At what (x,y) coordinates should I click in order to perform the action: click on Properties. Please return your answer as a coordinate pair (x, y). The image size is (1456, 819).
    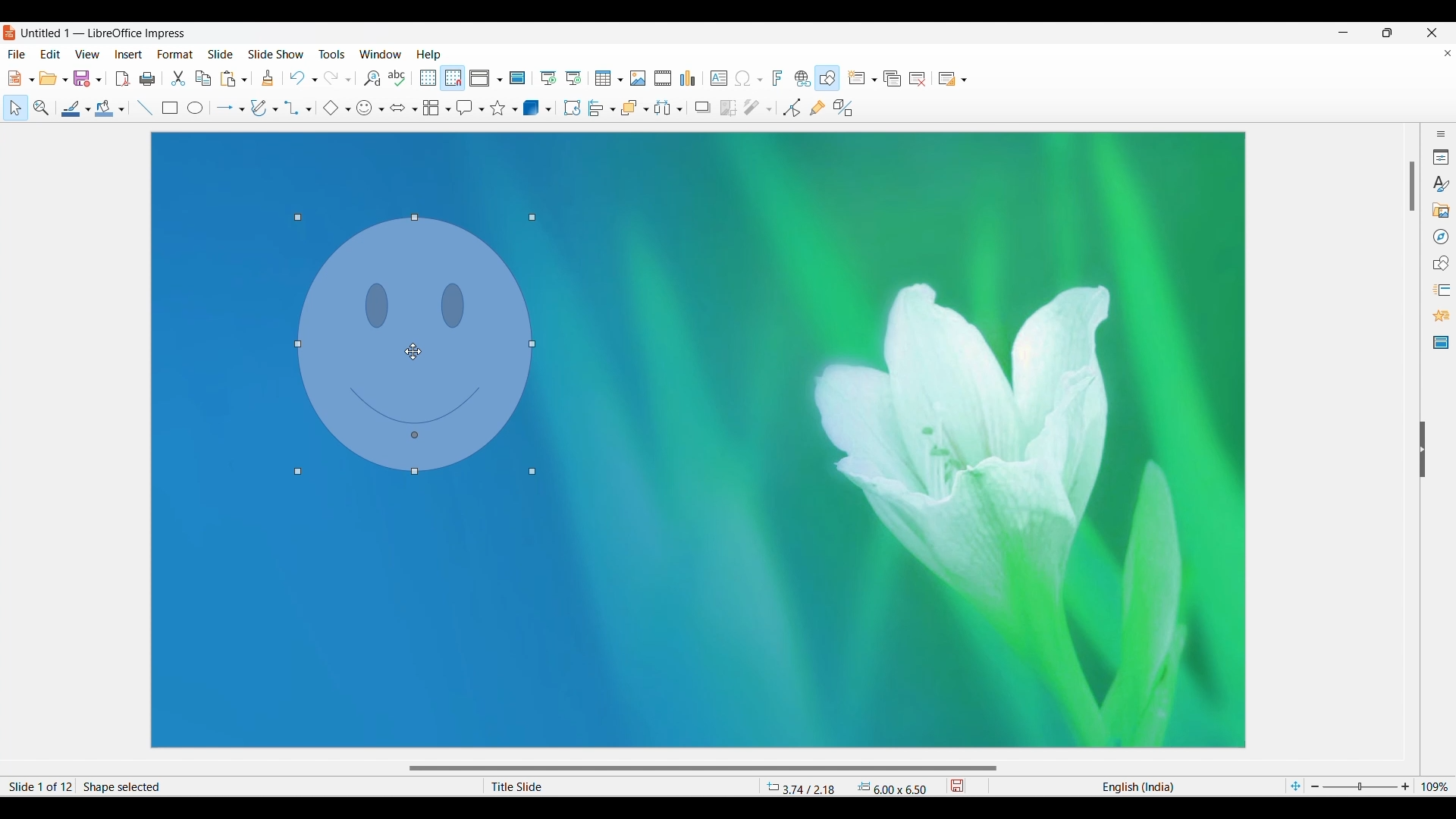
    Looking at the image, I should click on (1441, 157).